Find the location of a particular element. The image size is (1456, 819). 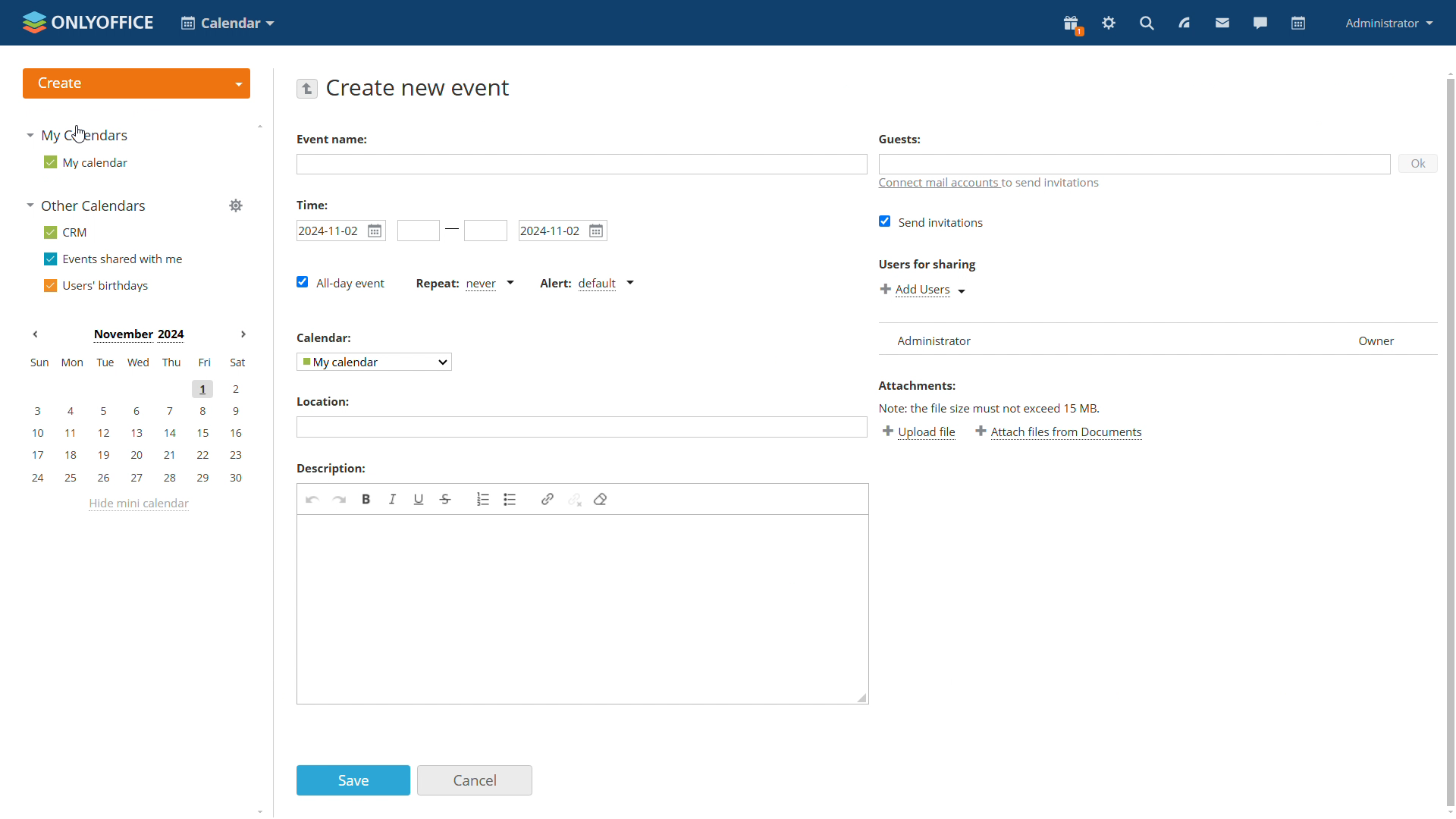

event end date is located at coordinates (563, 230).